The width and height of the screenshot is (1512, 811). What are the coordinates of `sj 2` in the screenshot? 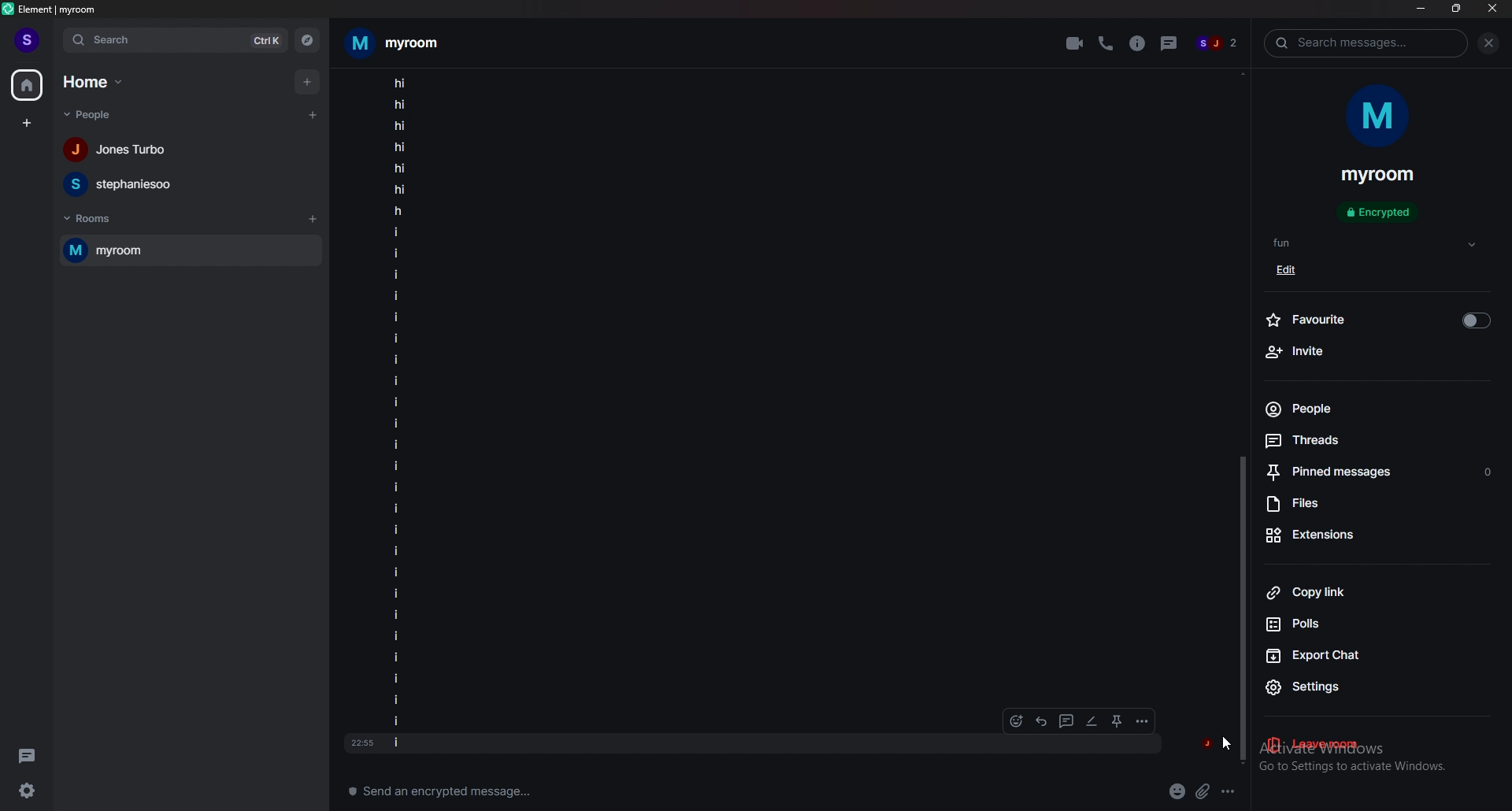 It's located at (1217, 43).